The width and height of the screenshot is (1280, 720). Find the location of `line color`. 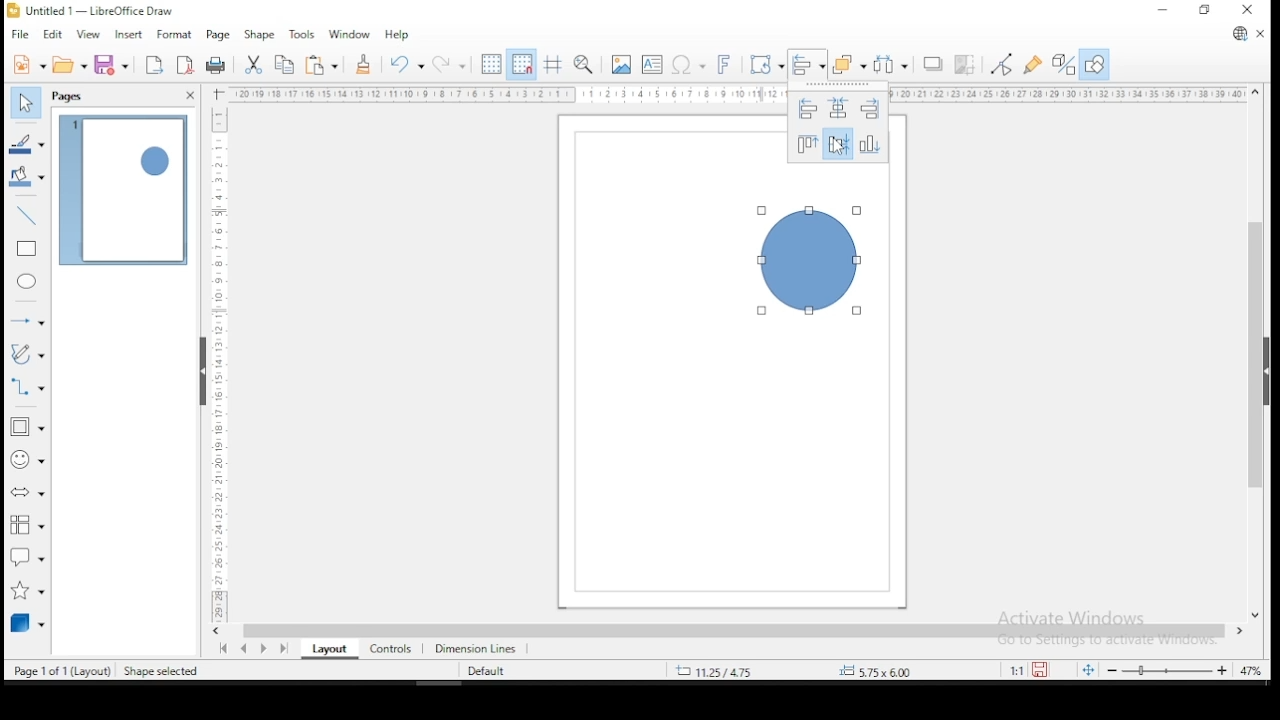

line color is located at coordinates (28, 145).